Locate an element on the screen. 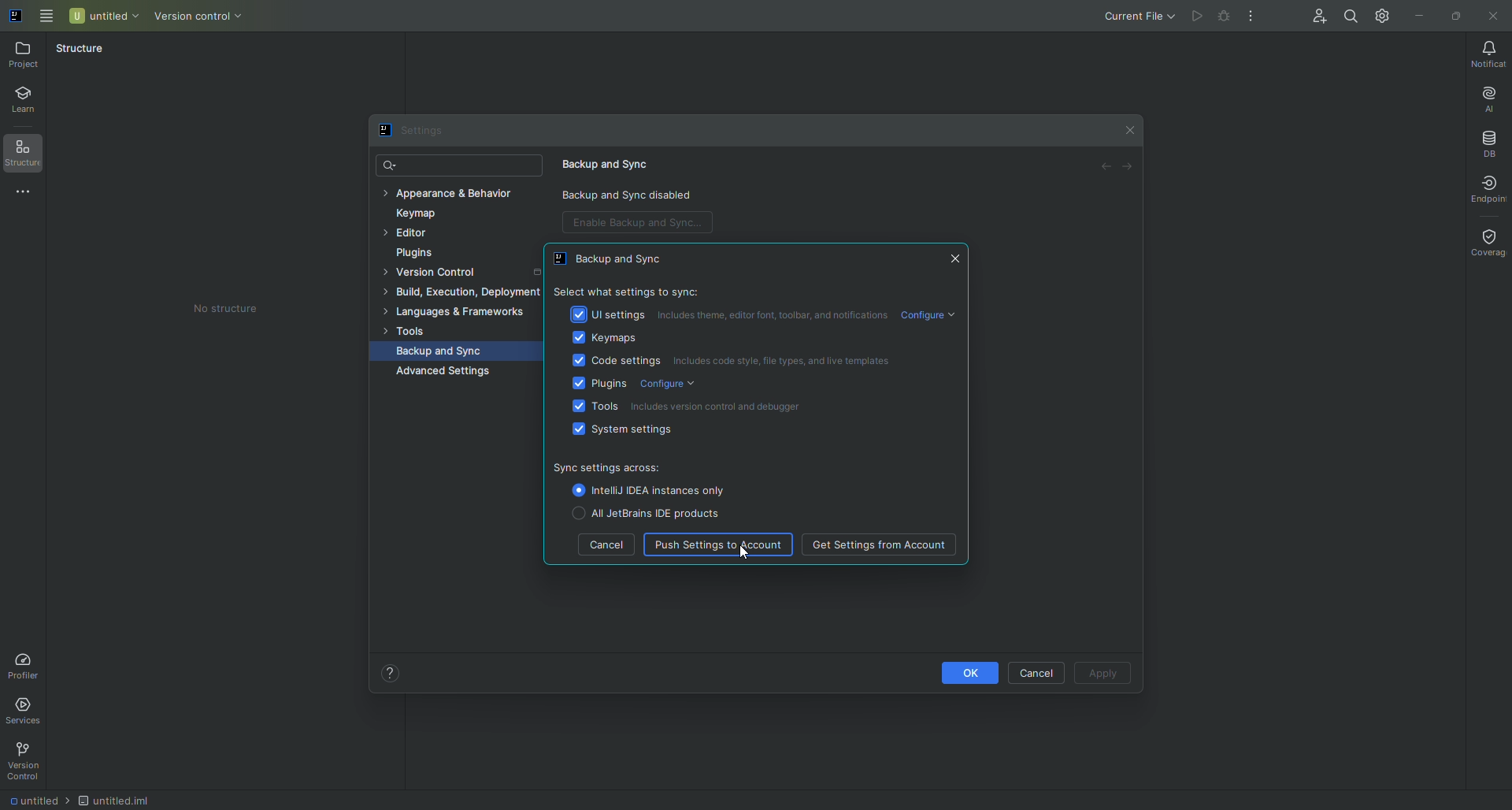 The height and width of the screenshot is (810, 1512). Cannot run current file is located at coordinates (1199, 17).